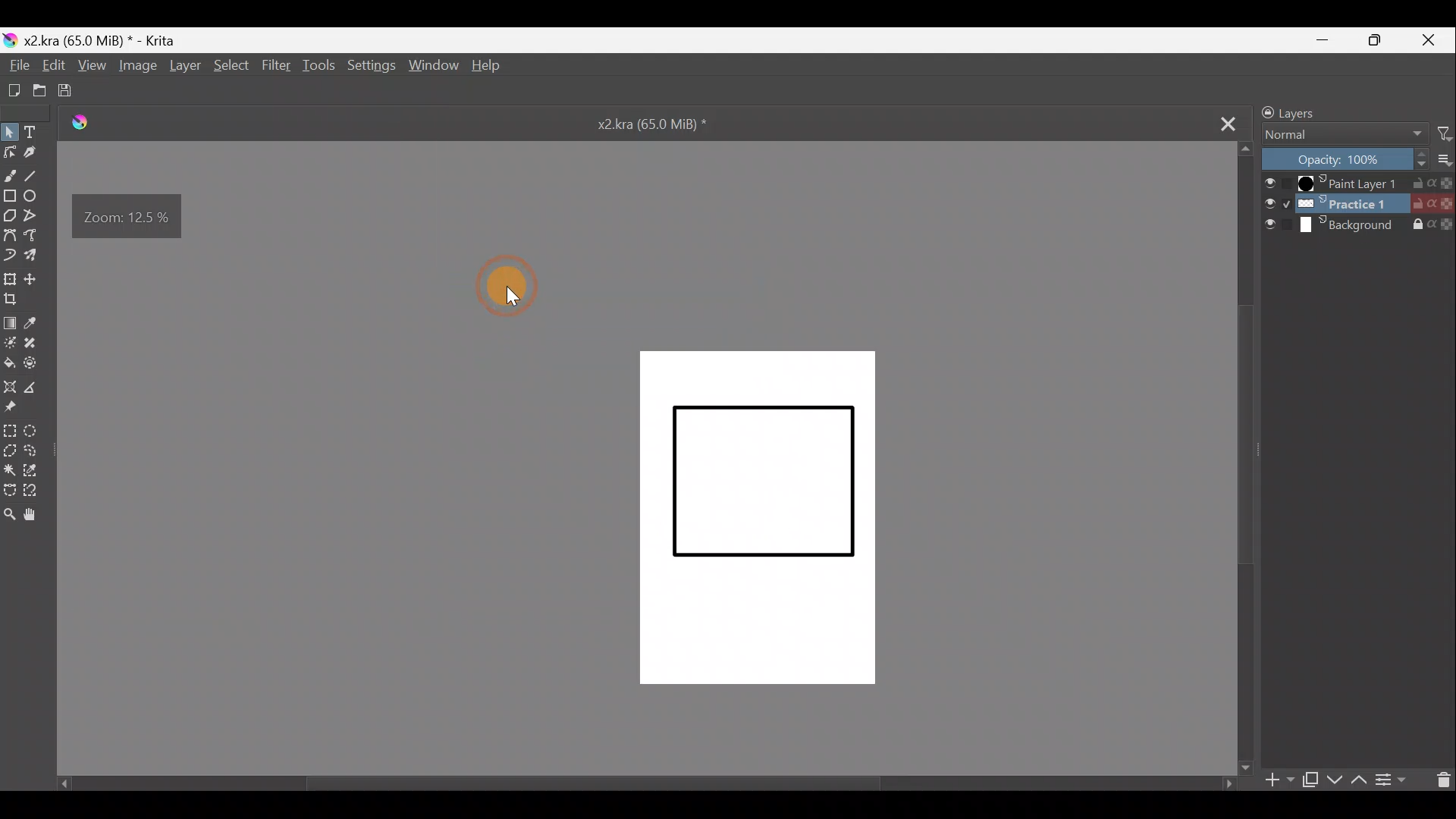  I want to click on Tools, so click(320, 66).